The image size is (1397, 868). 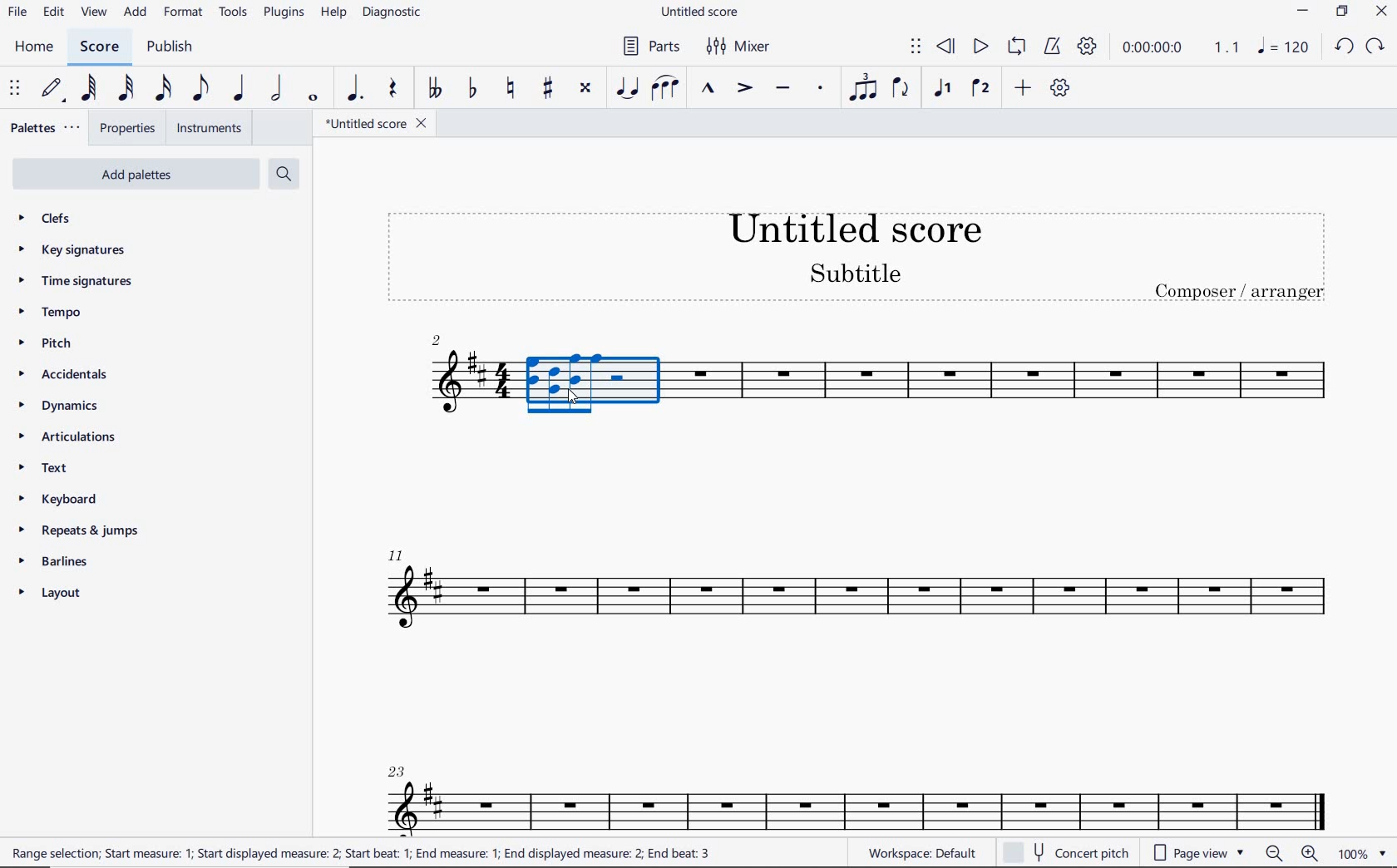 I want to click on ARTICULATIONS, so click(x=68, y=438).